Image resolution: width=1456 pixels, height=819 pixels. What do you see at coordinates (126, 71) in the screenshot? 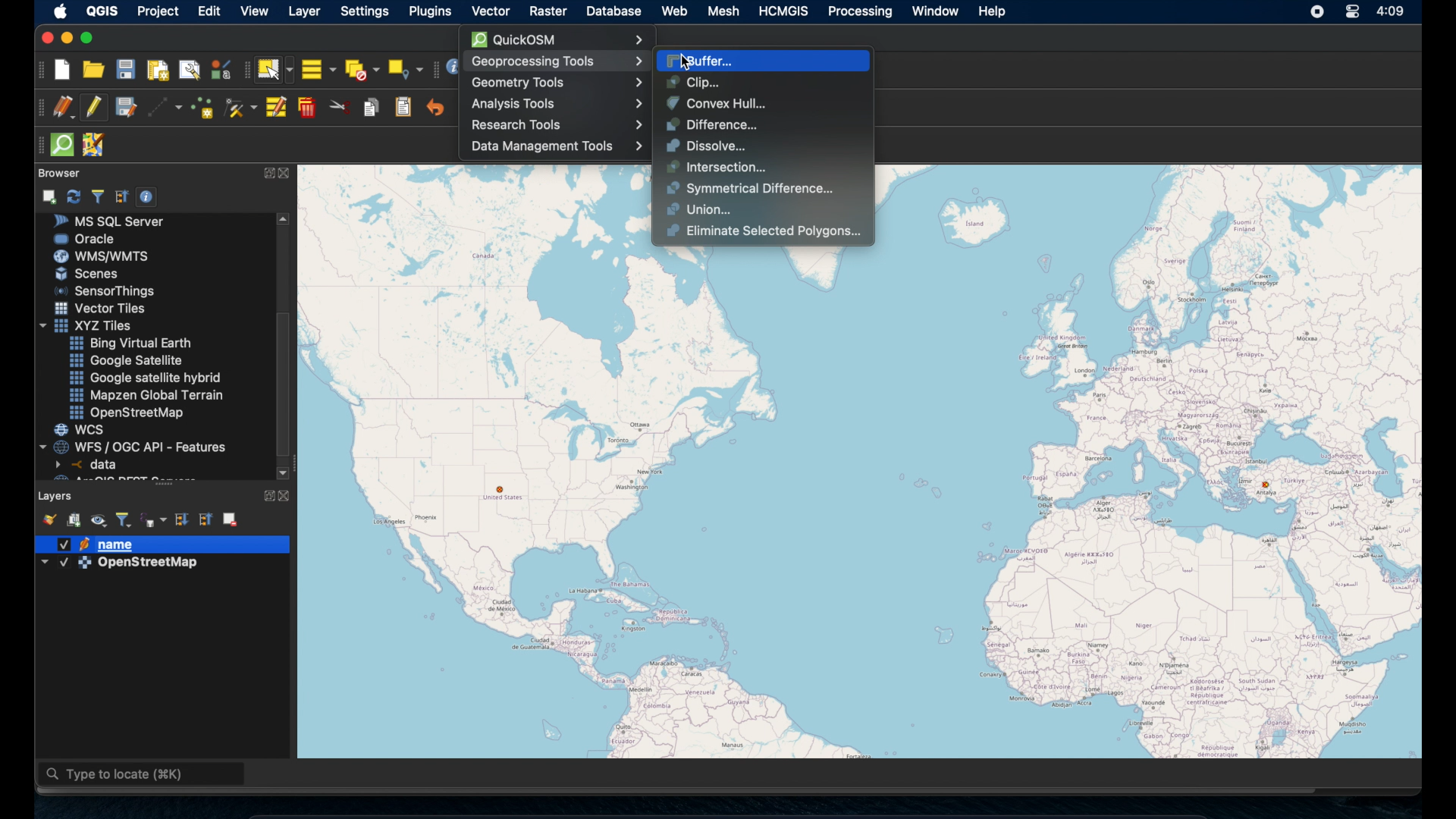
I see `save project` at bounding box center [126, 71].